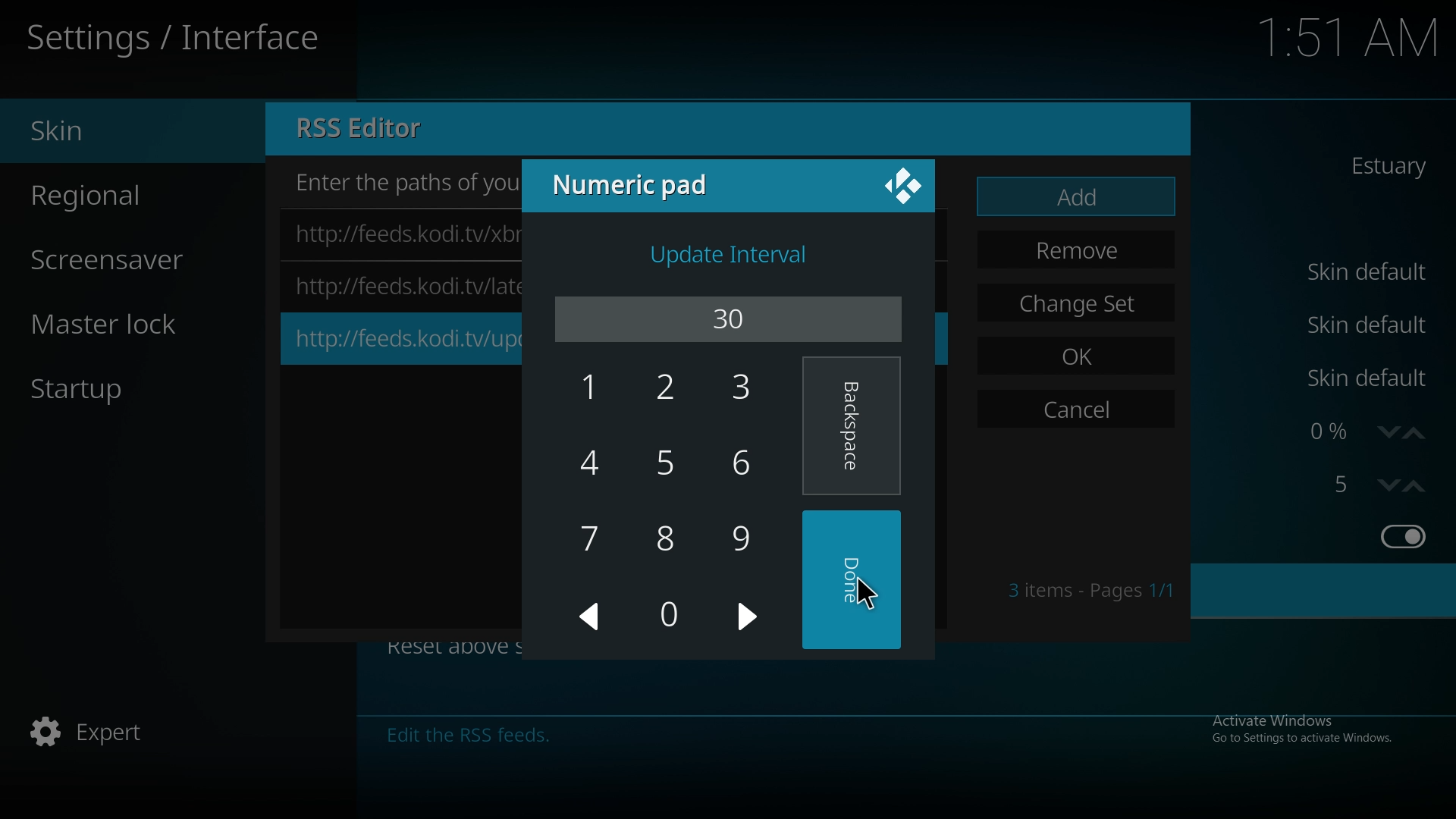 The width and height of the screenshot is (1456, 819). Describe the element at coordinates (395, 184) in the screenshot. I see `Enter the paths of you` at that location.